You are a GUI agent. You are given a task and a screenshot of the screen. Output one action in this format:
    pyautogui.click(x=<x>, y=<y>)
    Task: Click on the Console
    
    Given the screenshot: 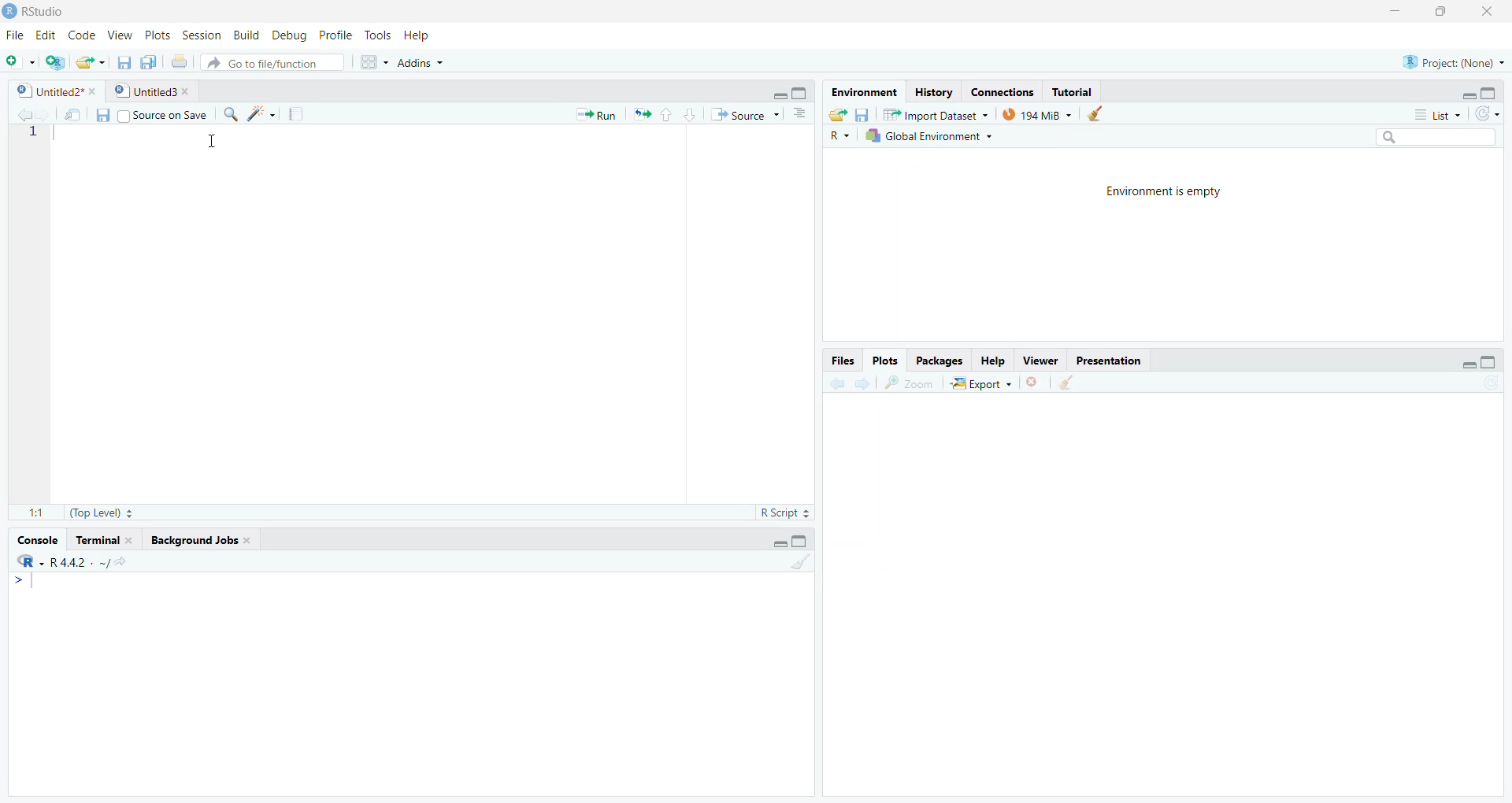 What is the action you would take?
    pyautogui.click(x=33, y=541)
    